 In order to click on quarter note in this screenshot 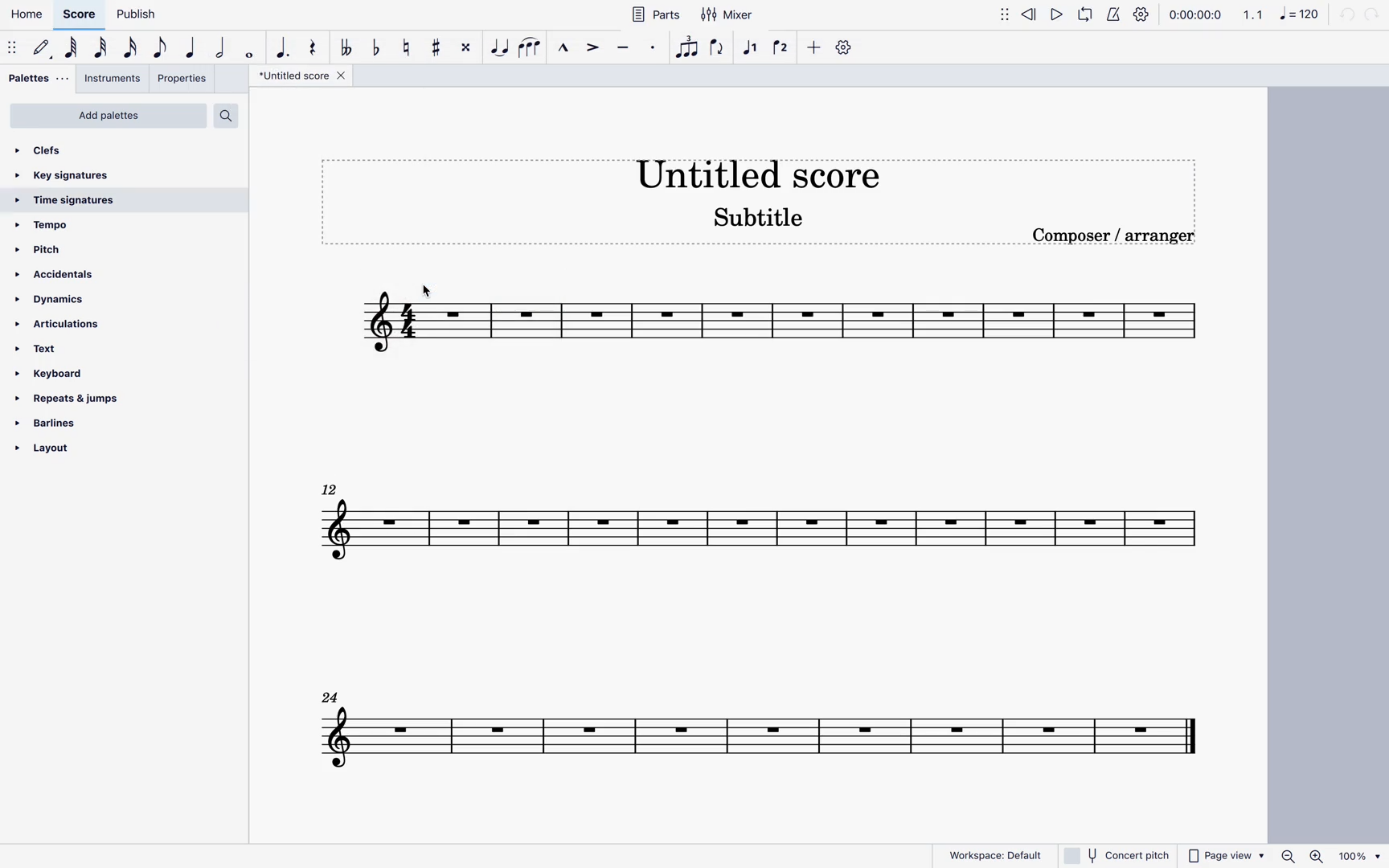, I will do `click(190, 52)`.